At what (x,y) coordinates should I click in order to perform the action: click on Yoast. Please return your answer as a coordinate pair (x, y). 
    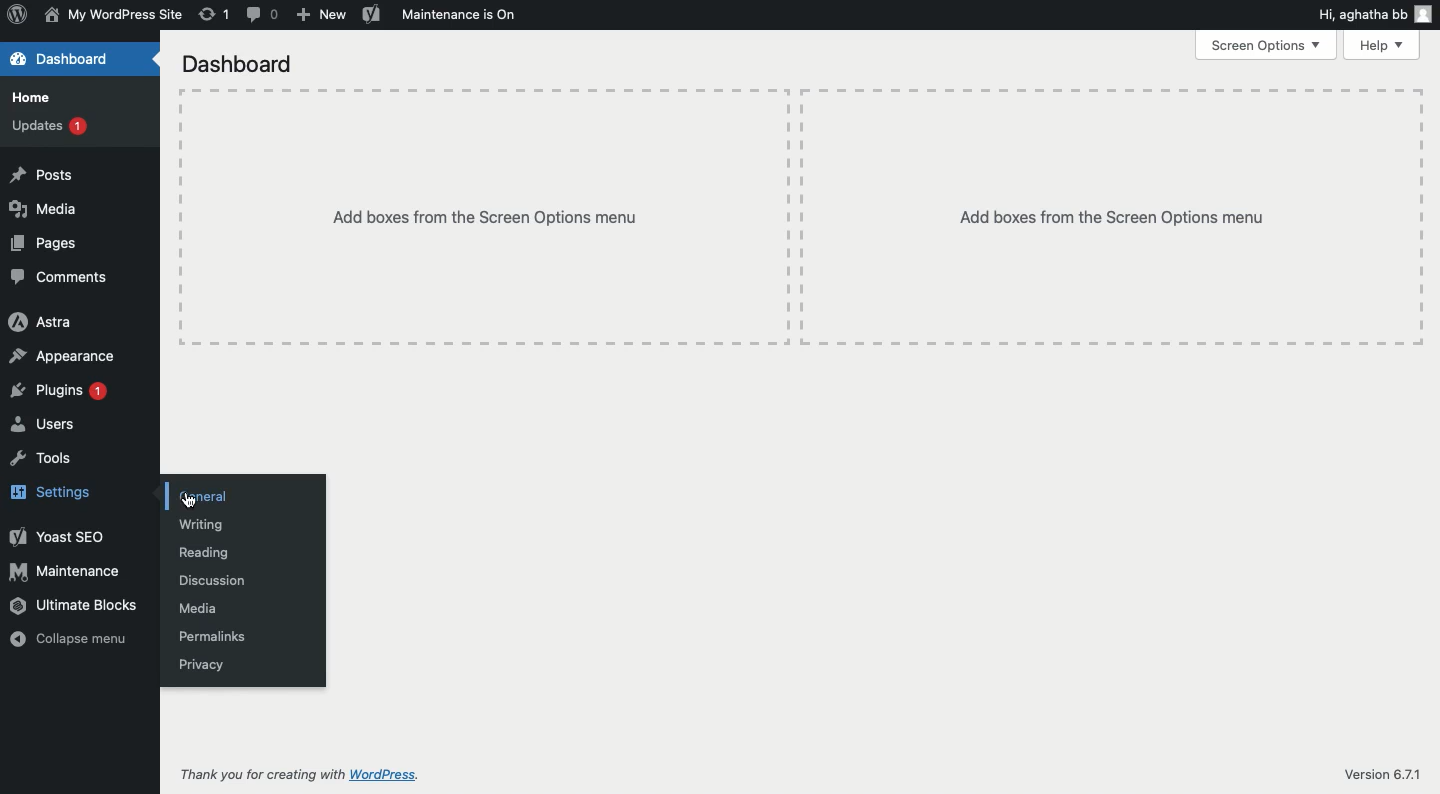
    Looking at the image, I should click on (57, 538).